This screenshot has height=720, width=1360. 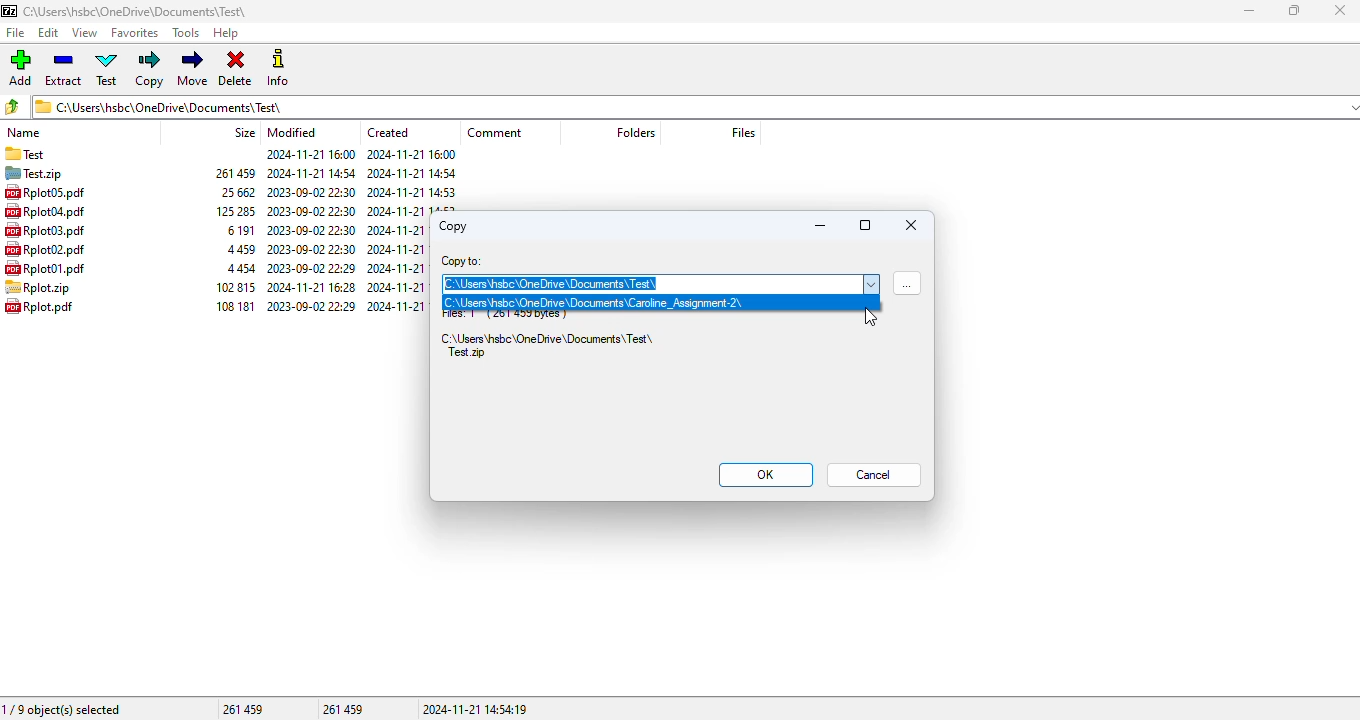 I want to click on 2024-11-21 14:54:19, so click(x=475, y=709).